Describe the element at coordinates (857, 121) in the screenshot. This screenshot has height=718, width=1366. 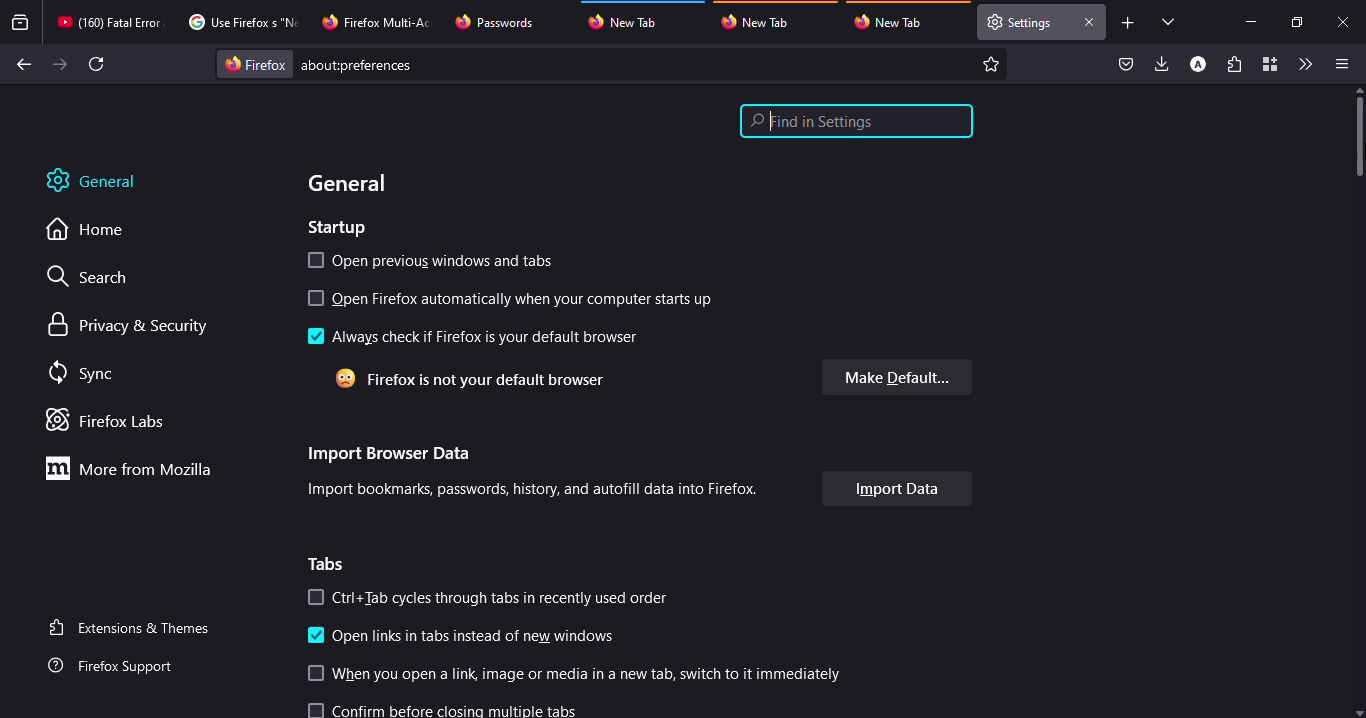
I see `find` at that location.